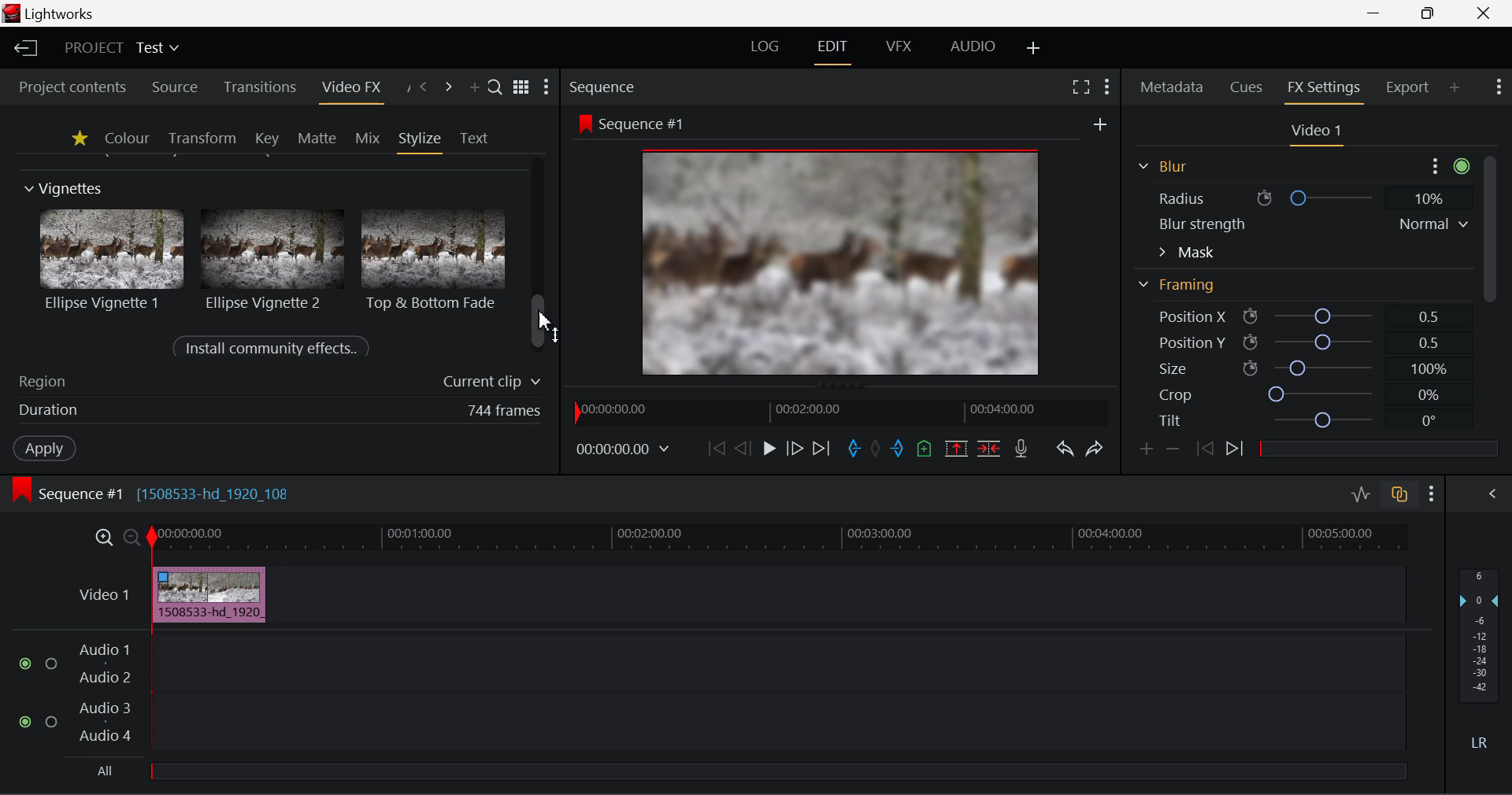 The height and width of the screenshot is (795, 1512). What do you see at coordinates (276, 412) in the screenshot?
I see `Duration` at bounding box center [276, 412].